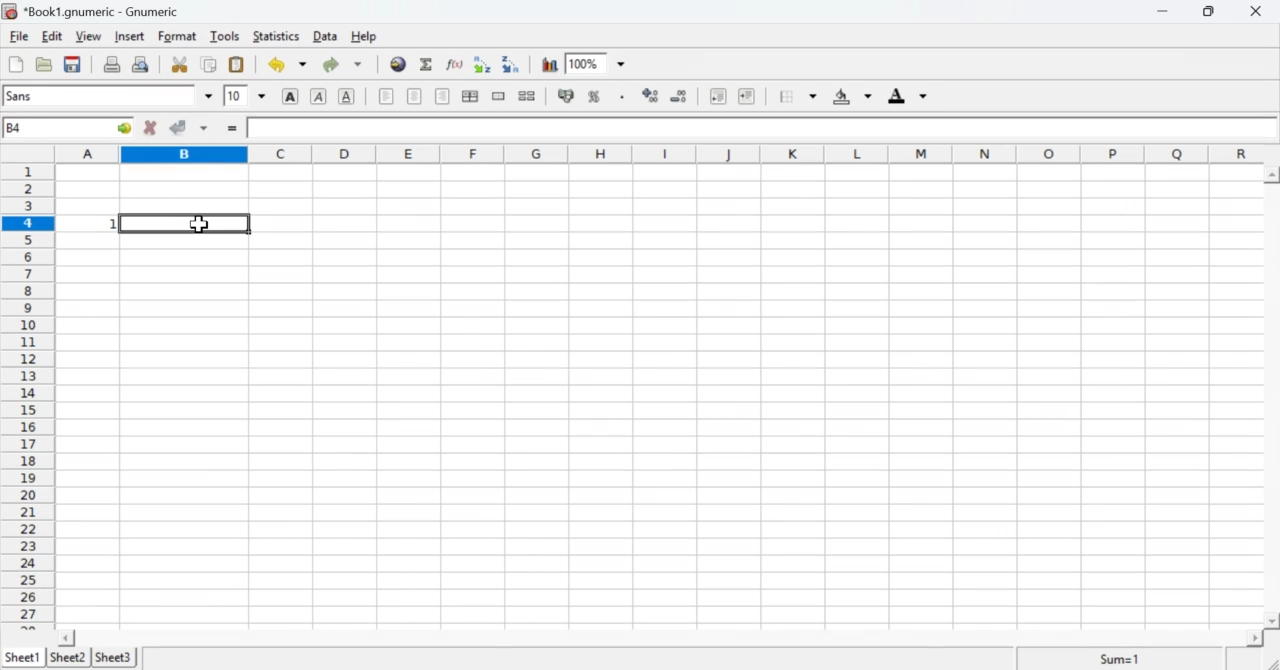 This screenshot has height=670, width=1280. I want to click on Sort into ascending, so click(484, 65).